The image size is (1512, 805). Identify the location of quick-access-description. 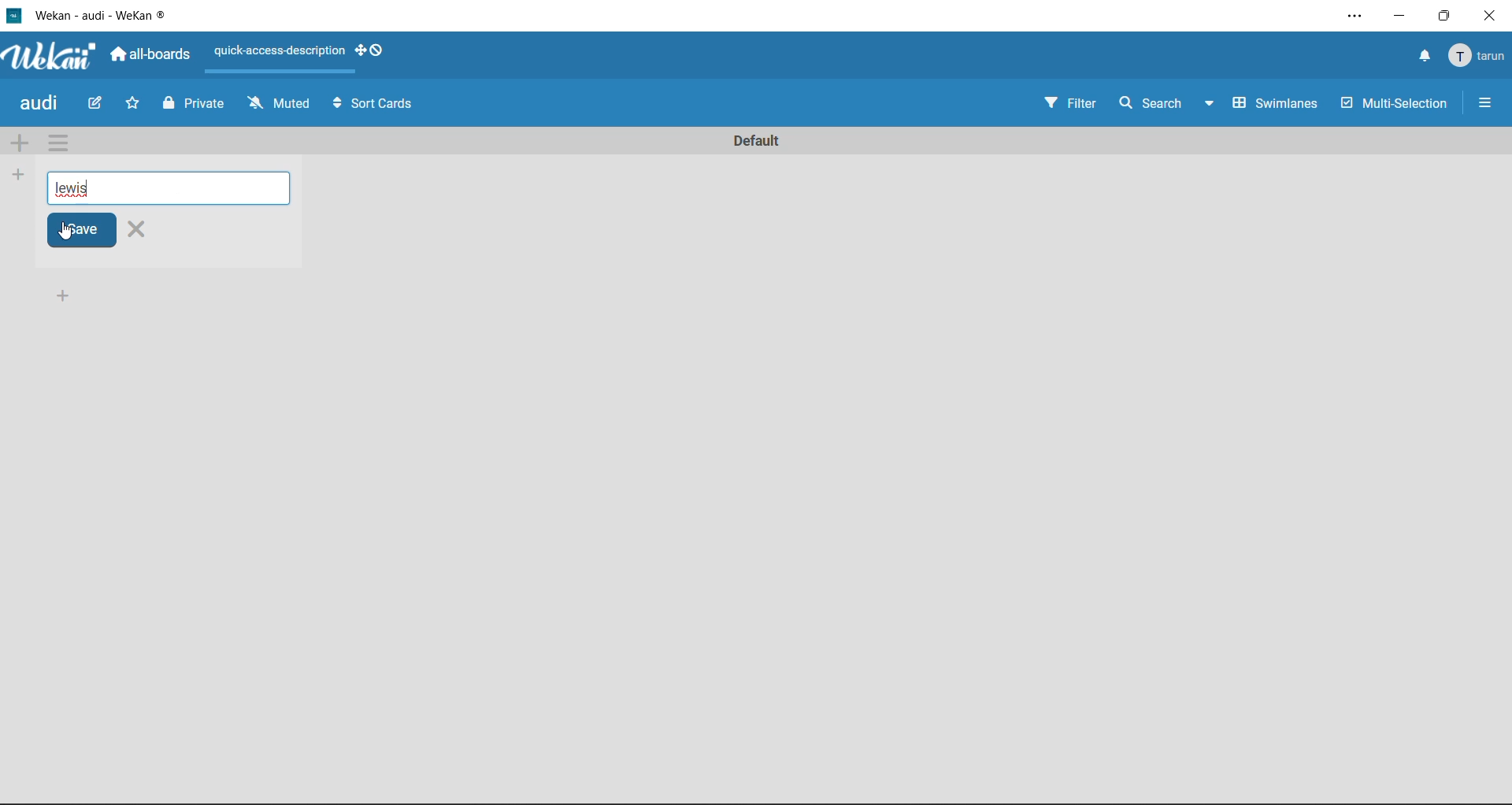
(280, 50).